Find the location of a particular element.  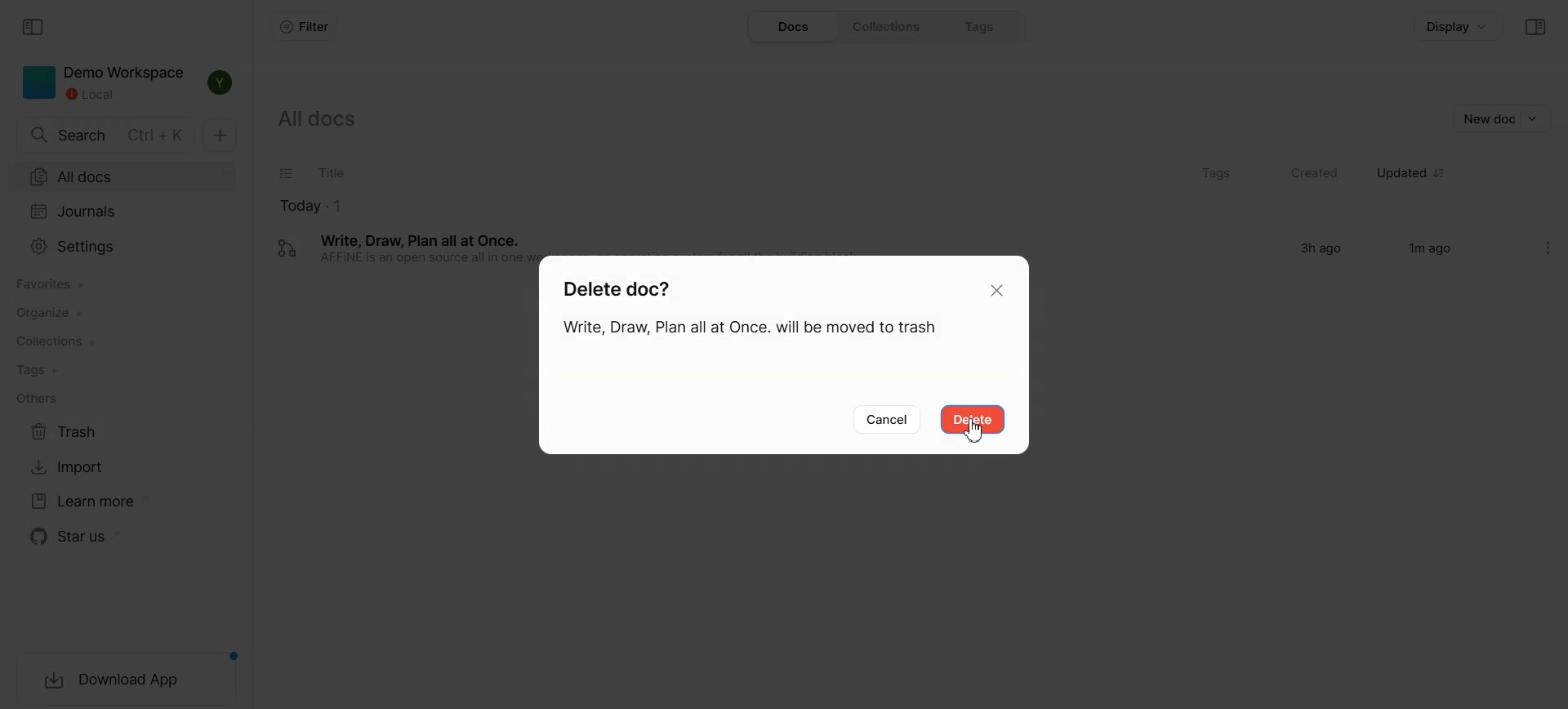

Title is located at coordinates (739, 175).